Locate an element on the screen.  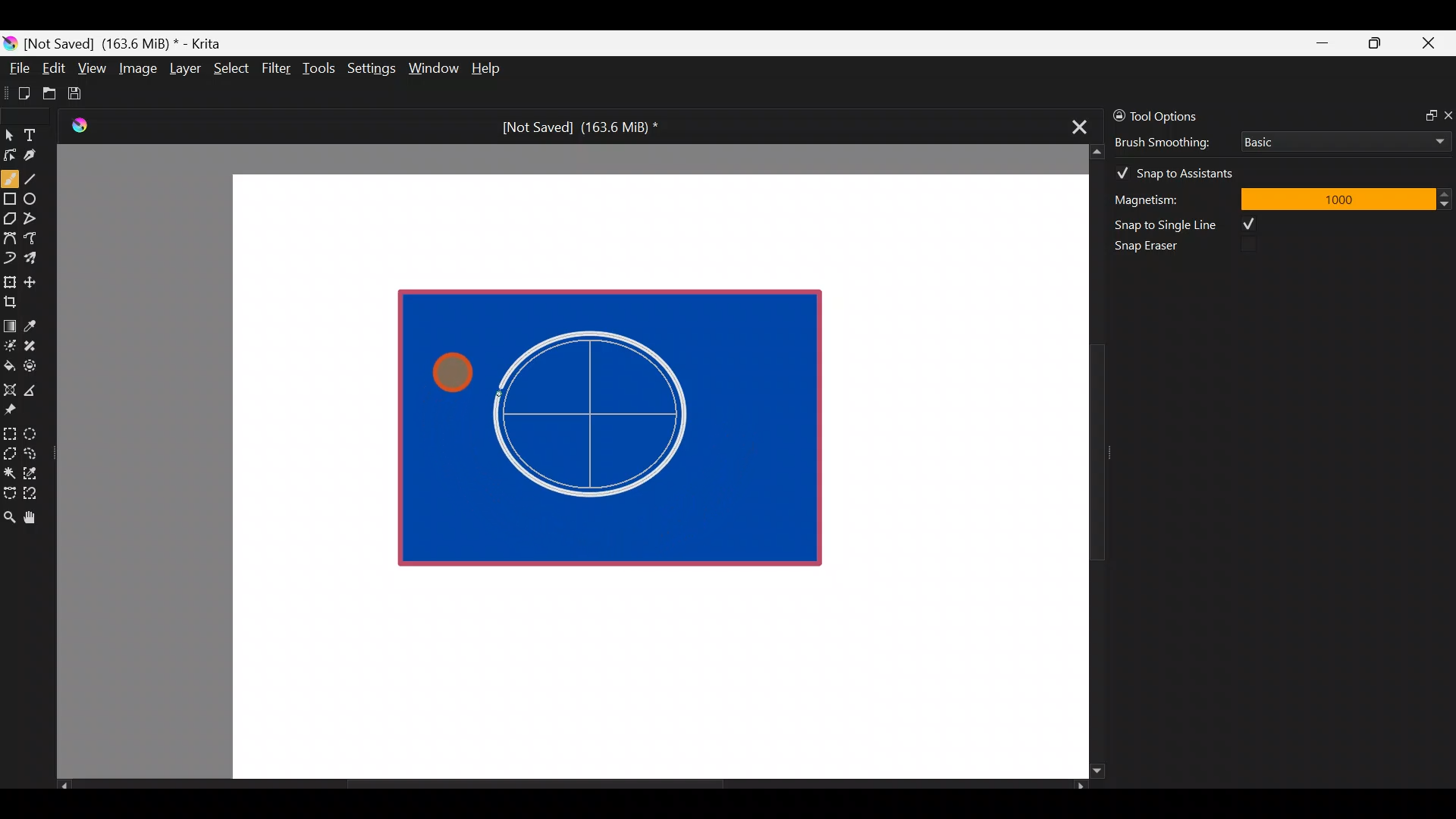
Tool options is located at coordinates (1178, 116).